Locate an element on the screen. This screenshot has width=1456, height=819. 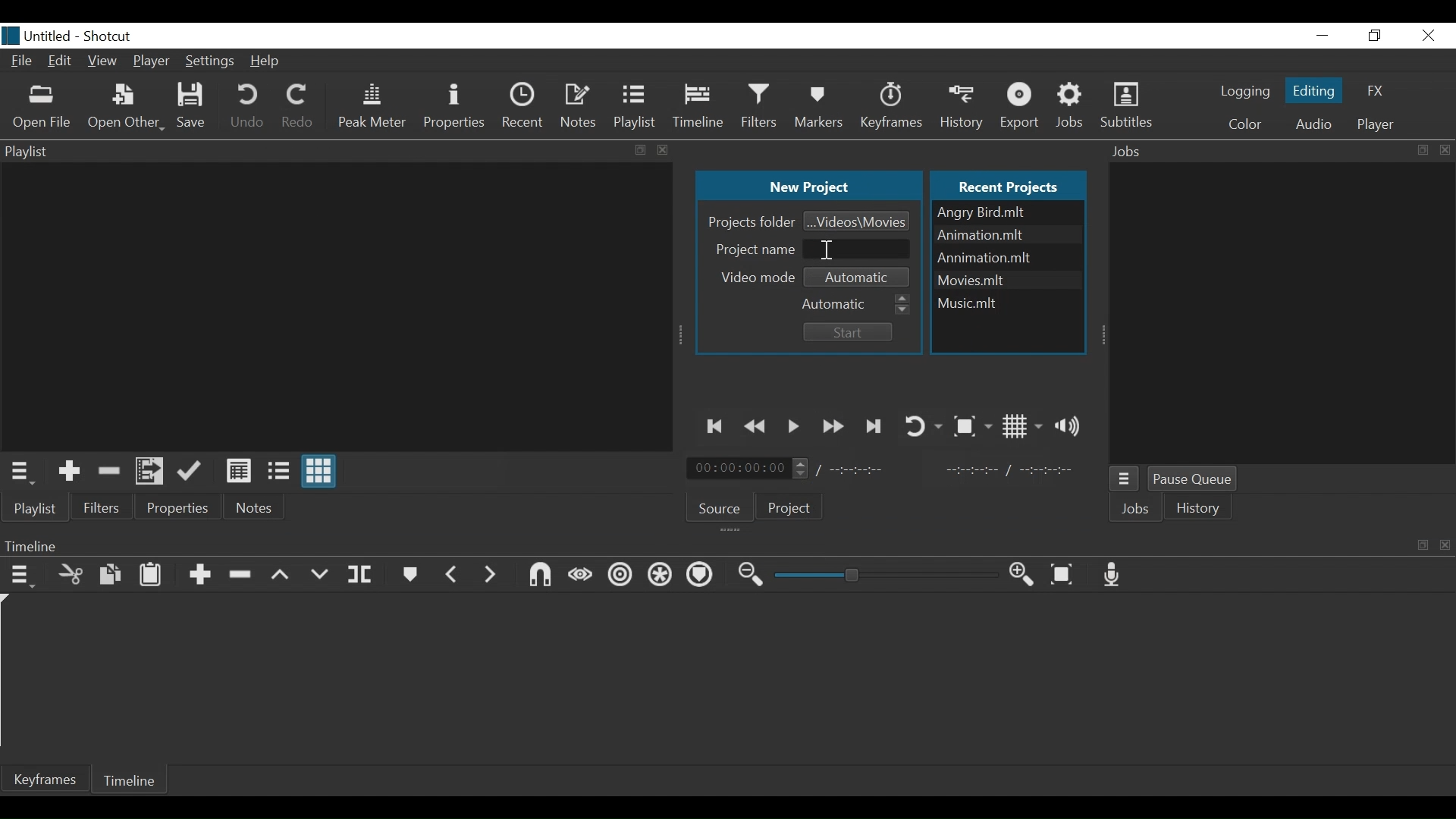
Notes is located at coordinates (579, 104).